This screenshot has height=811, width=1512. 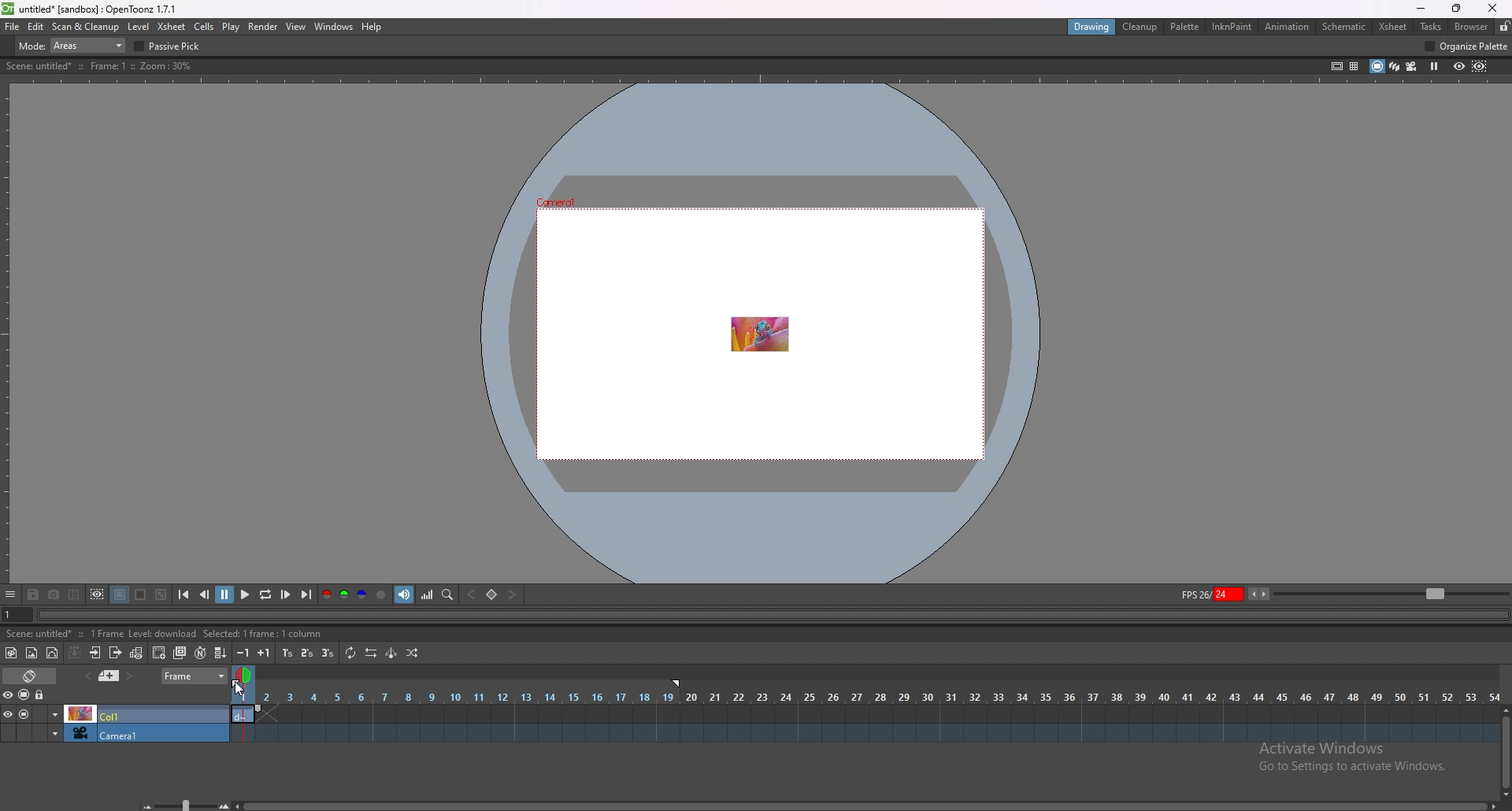 I want to click on auto input cell number, so click(x=200, y=653).